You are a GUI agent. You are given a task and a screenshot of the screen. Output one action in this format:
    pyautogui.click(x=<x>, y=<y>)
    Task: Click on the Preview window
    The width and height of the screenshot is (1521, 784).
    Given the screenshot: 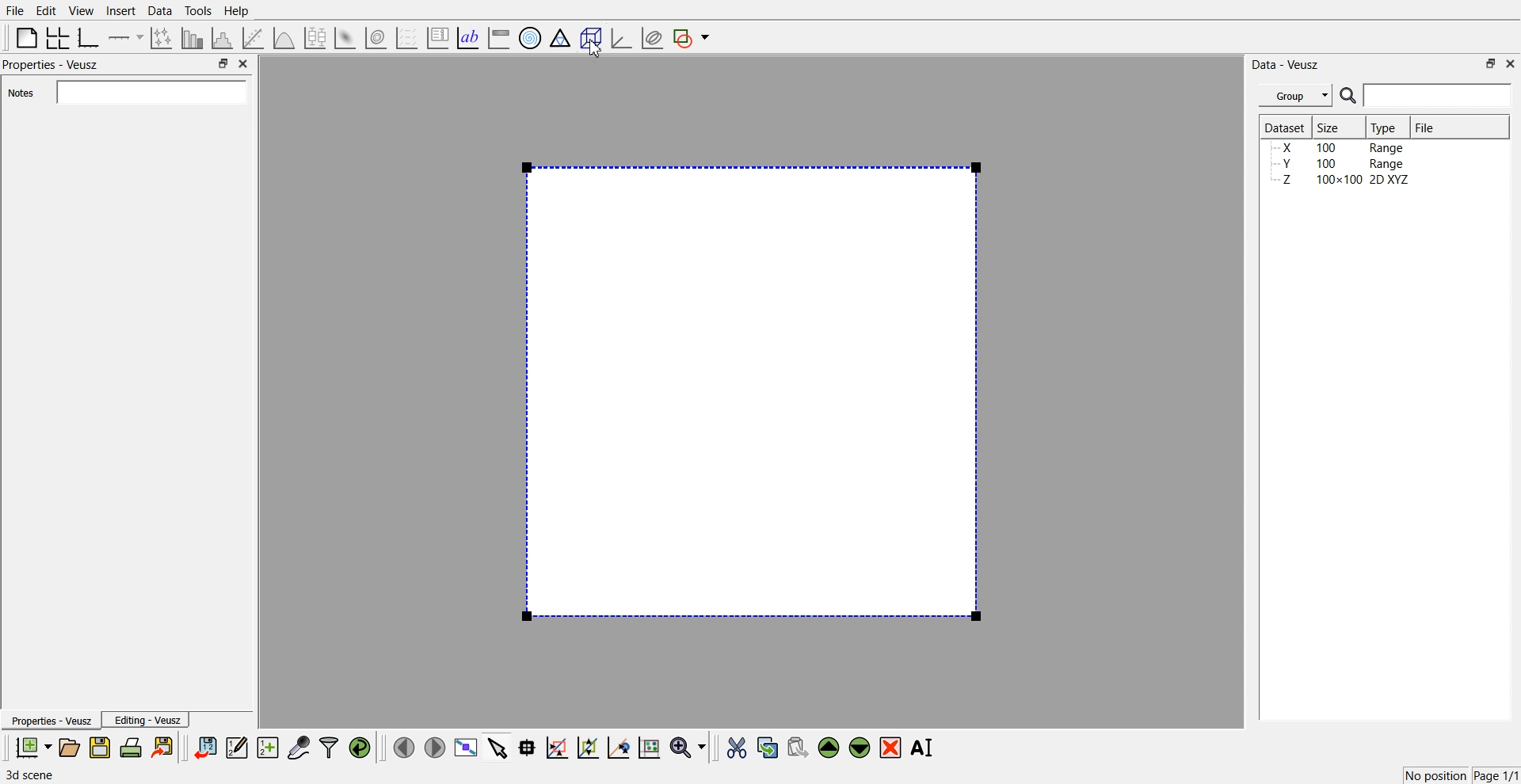 What is the action you would take?
    pyautogui.click(x=752, y=391)
    